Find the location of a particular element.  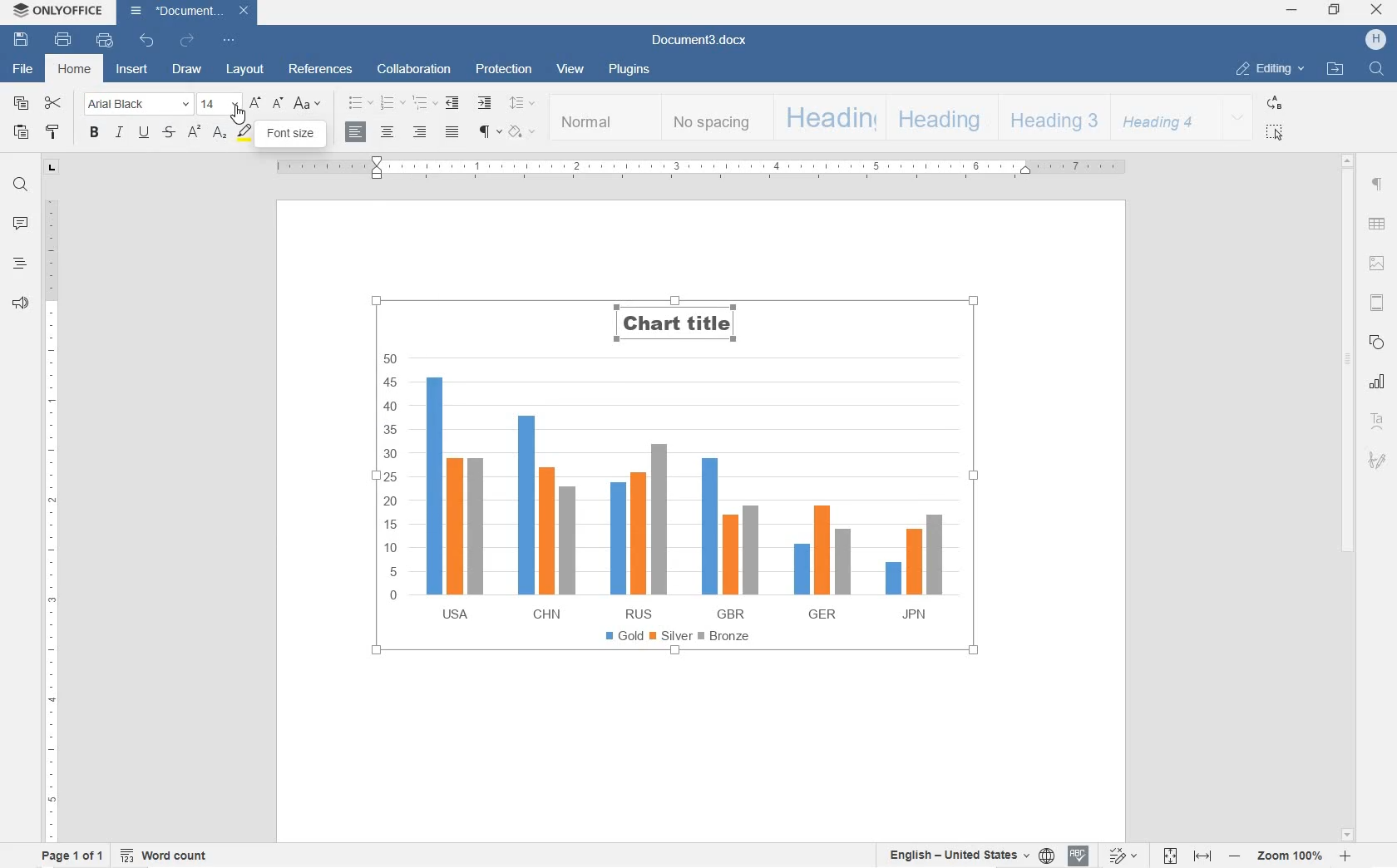

HEADER & FOOTERS is located at coordinates (1376, 303).